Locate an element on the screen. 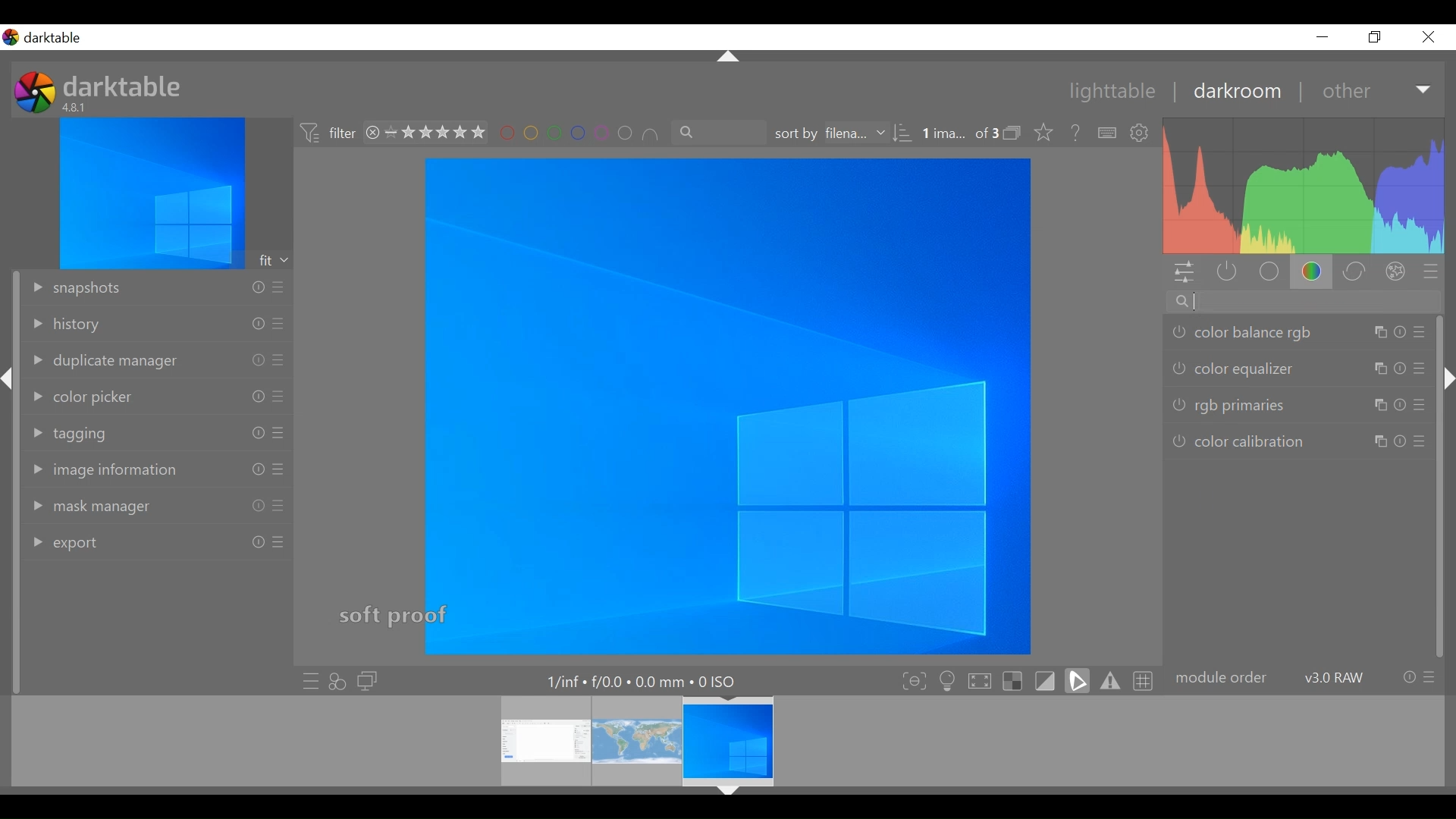 This screenshot has height=819, width=1456. info is located at coordinates (258, 506).